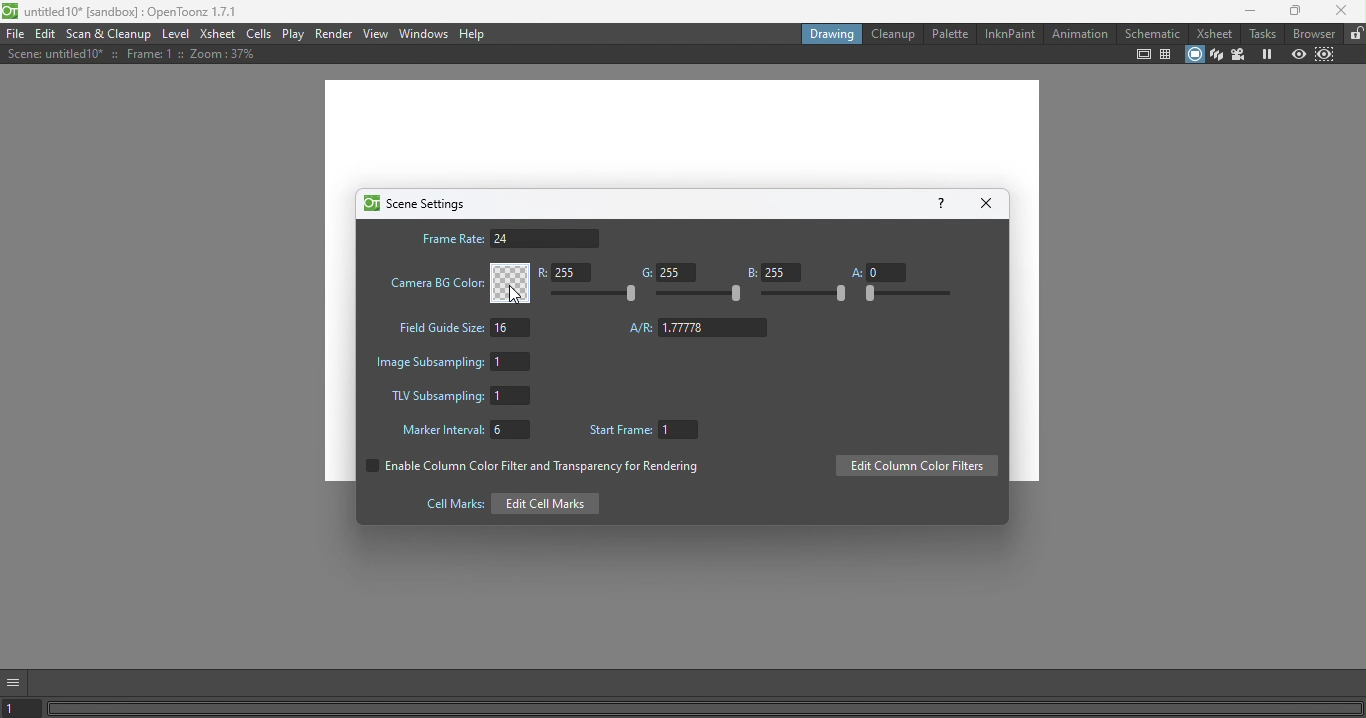  I want to click on Camera BG color, so click(457, 283).